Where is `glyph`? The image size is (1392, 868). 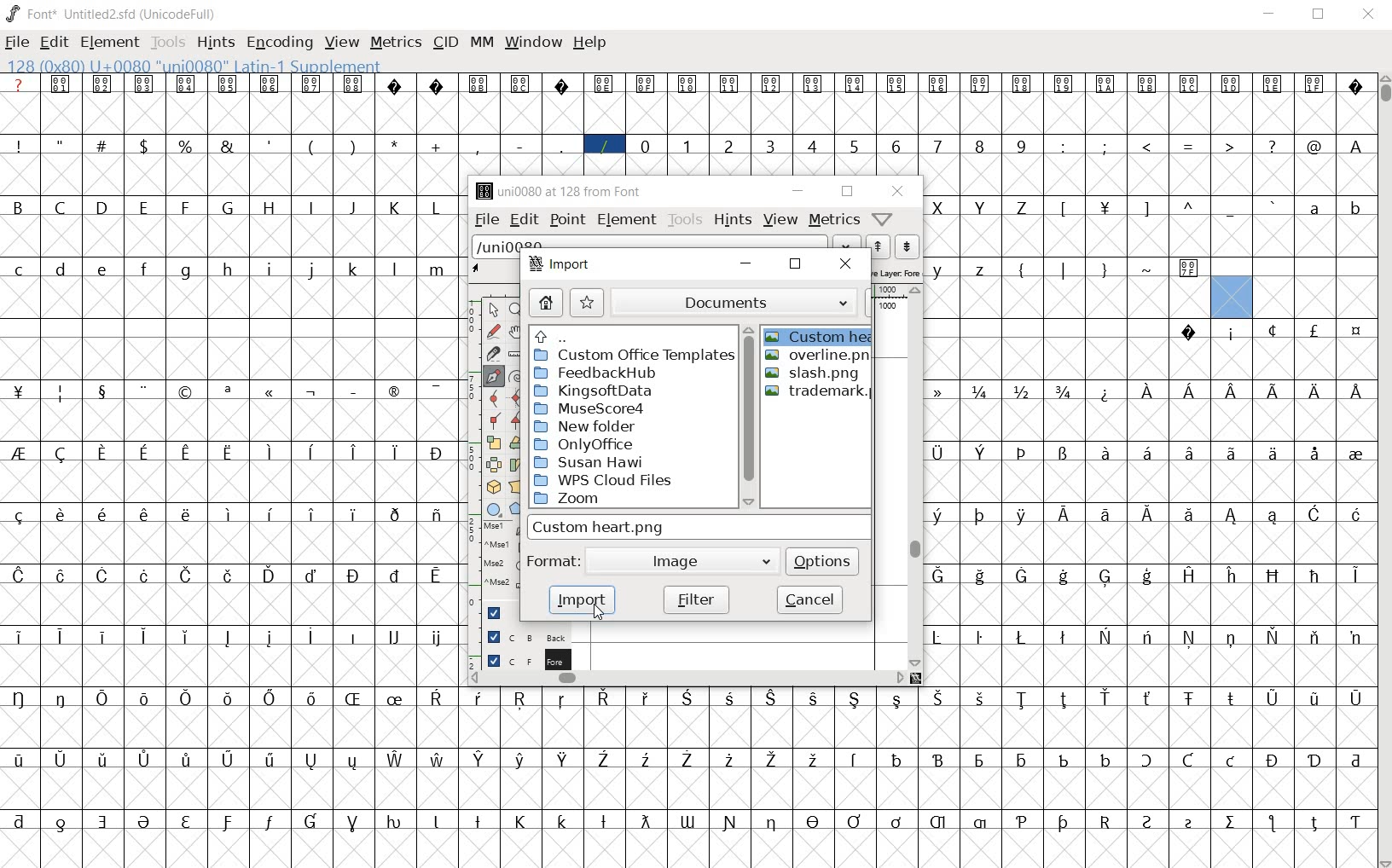
glyph is located at coordinates (61, 454).